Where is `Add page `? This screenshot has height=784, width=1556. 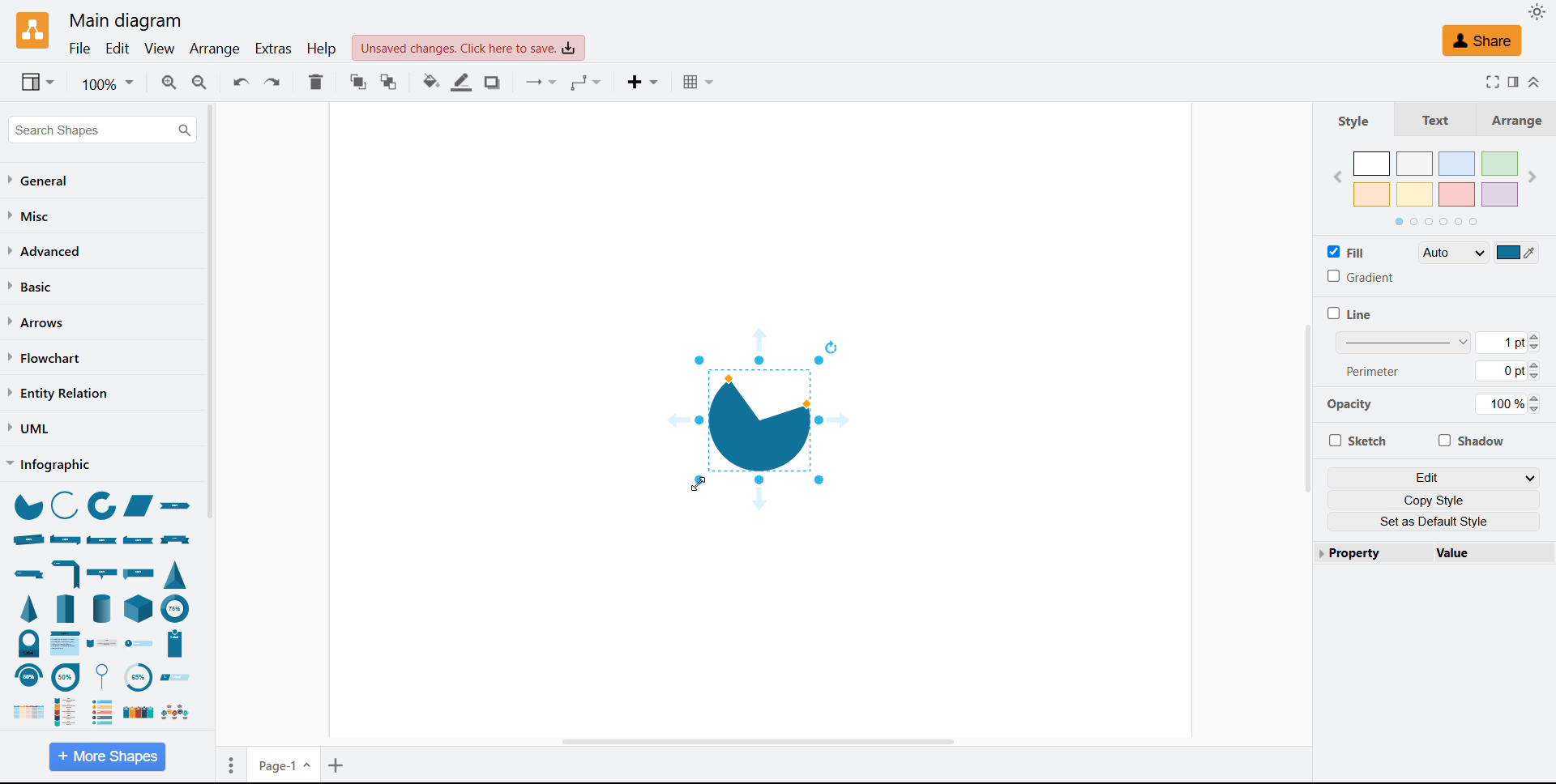 Add page  is located at coordinates (338, 765).